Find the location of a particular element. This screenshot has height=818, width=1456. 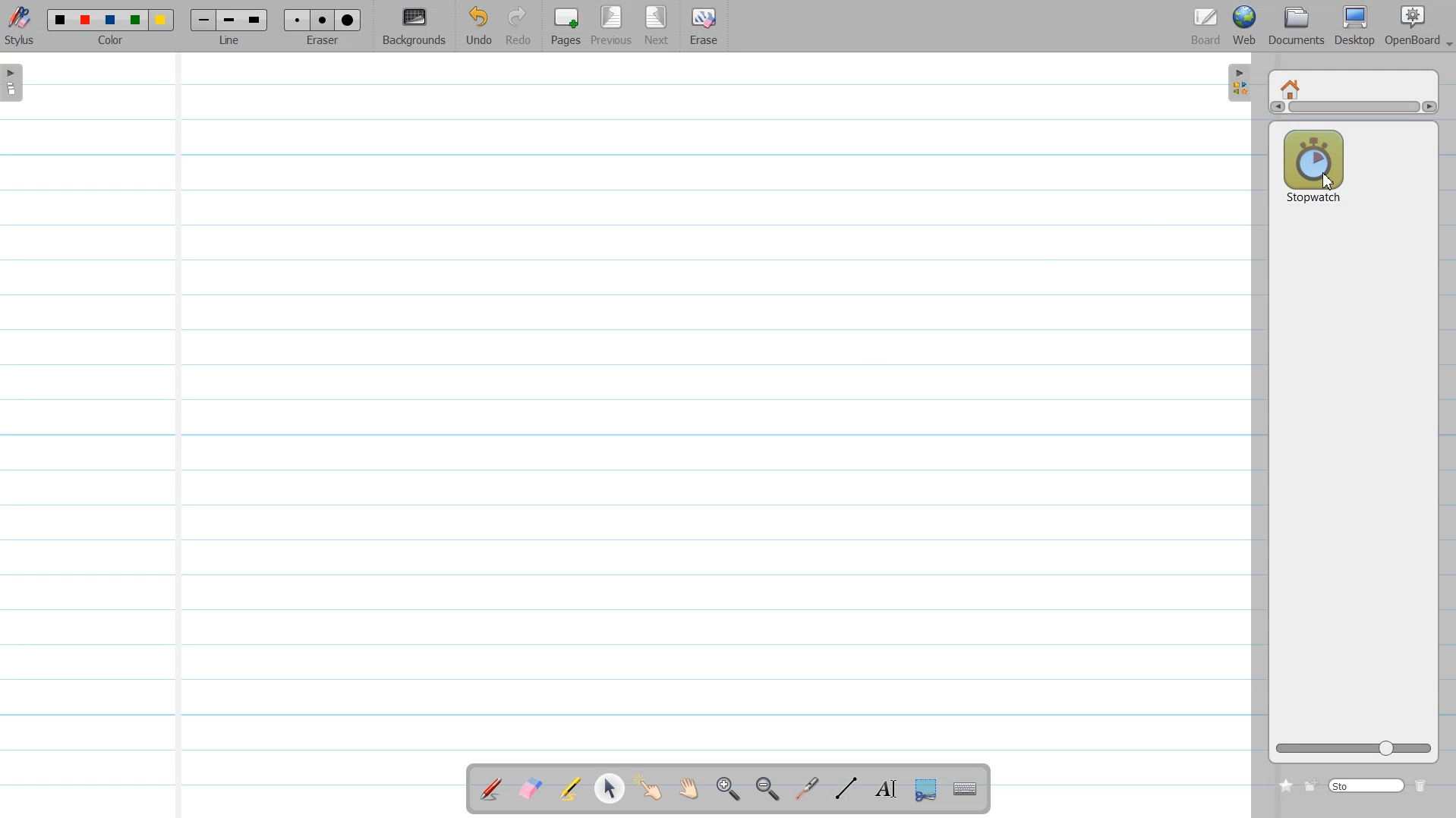

Zoom ////out is located at coordinates (769, 788).